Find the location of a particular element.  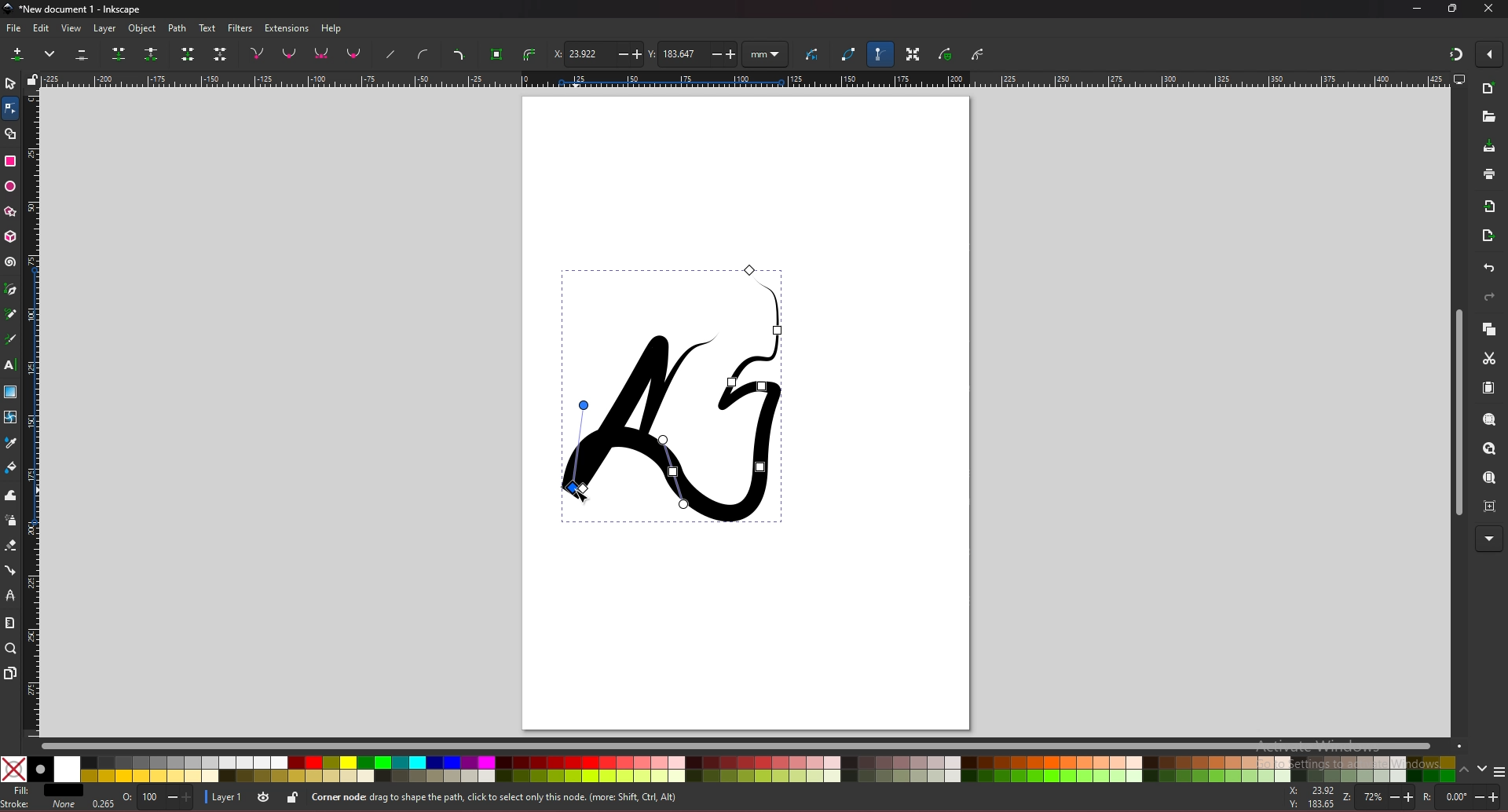

edit is located at coordinates (42, 28).